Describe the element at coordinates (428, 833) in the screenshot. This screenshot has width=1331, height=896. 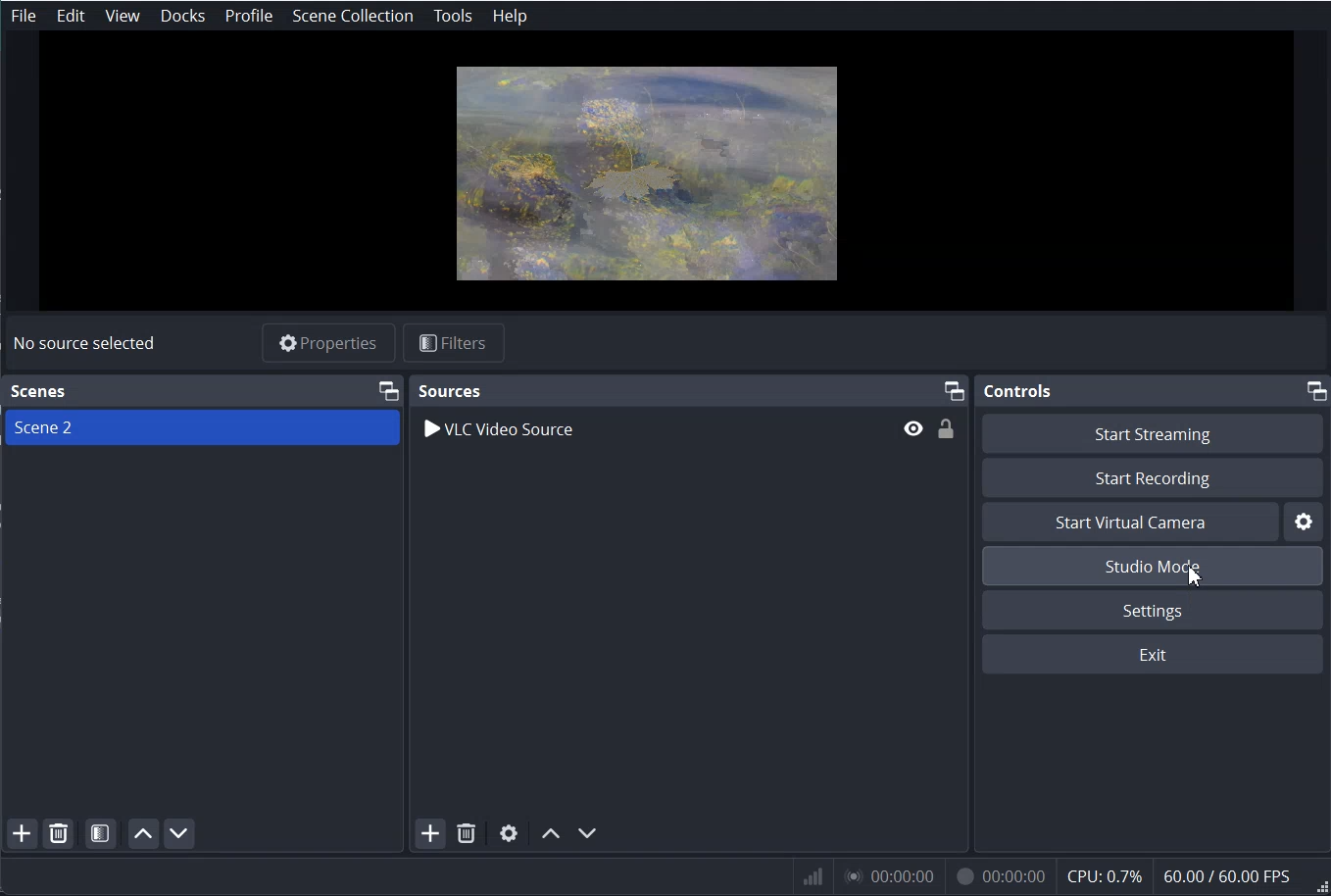
I see `Add Source` at that location.